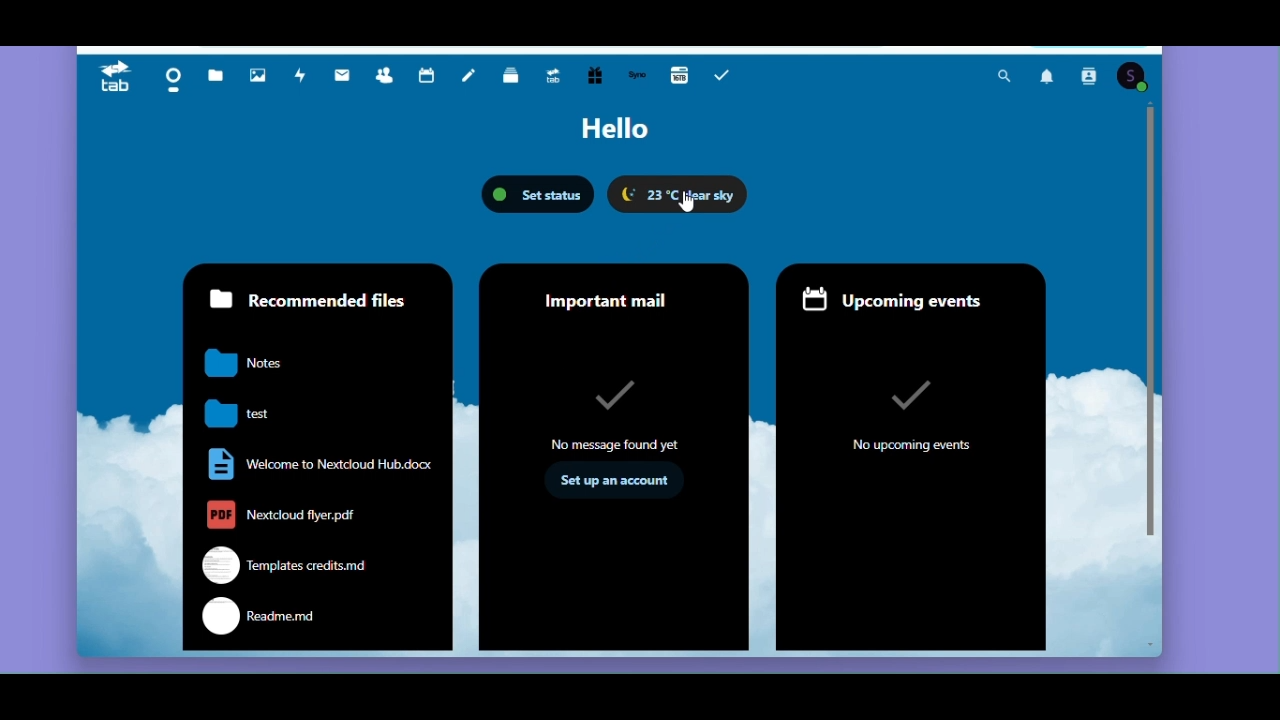  I want to click on Task, so click(727, 75).